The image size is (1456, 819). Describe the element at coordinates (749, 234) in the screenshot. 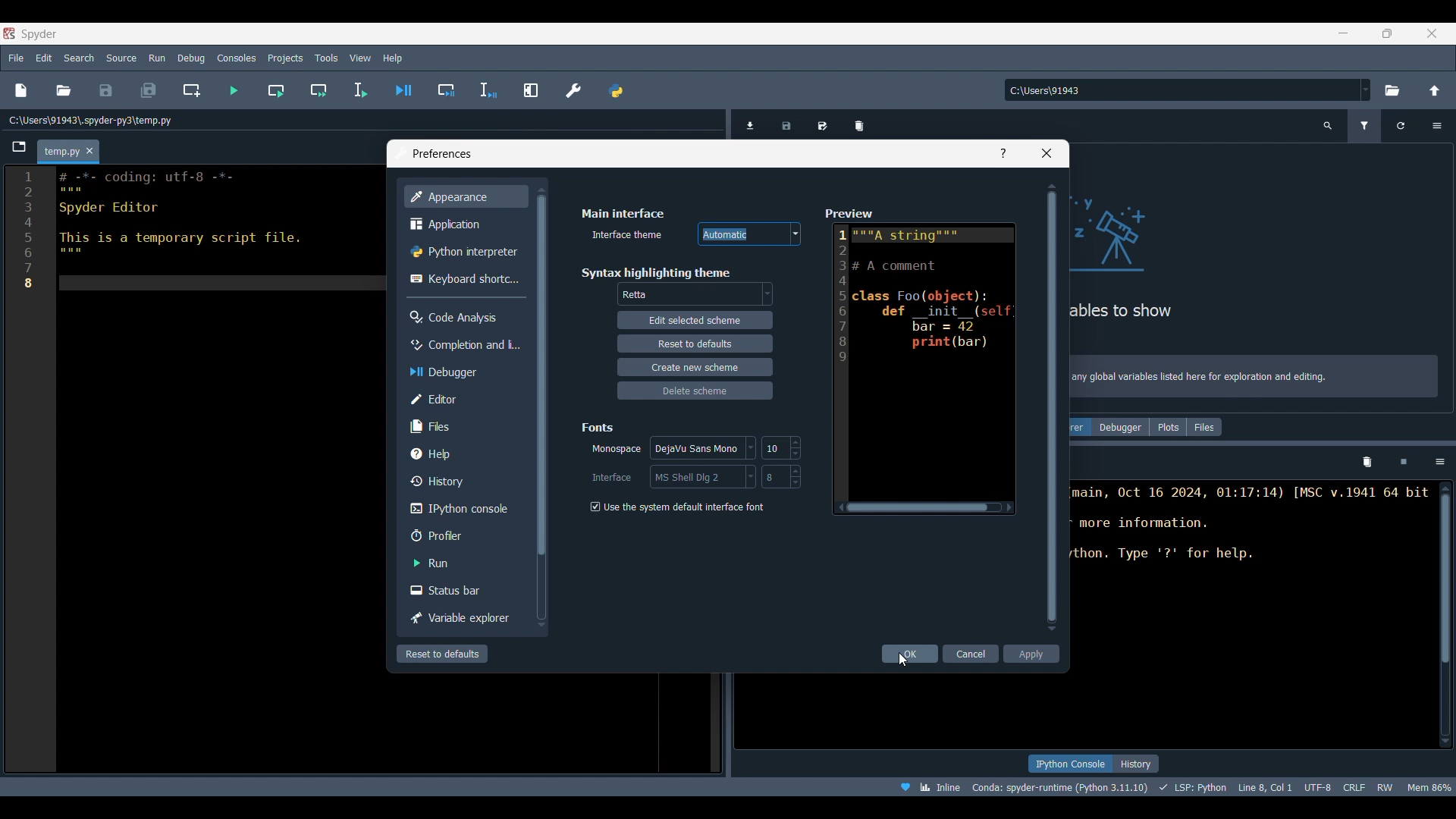

I see `Interface Theme options` at that location.